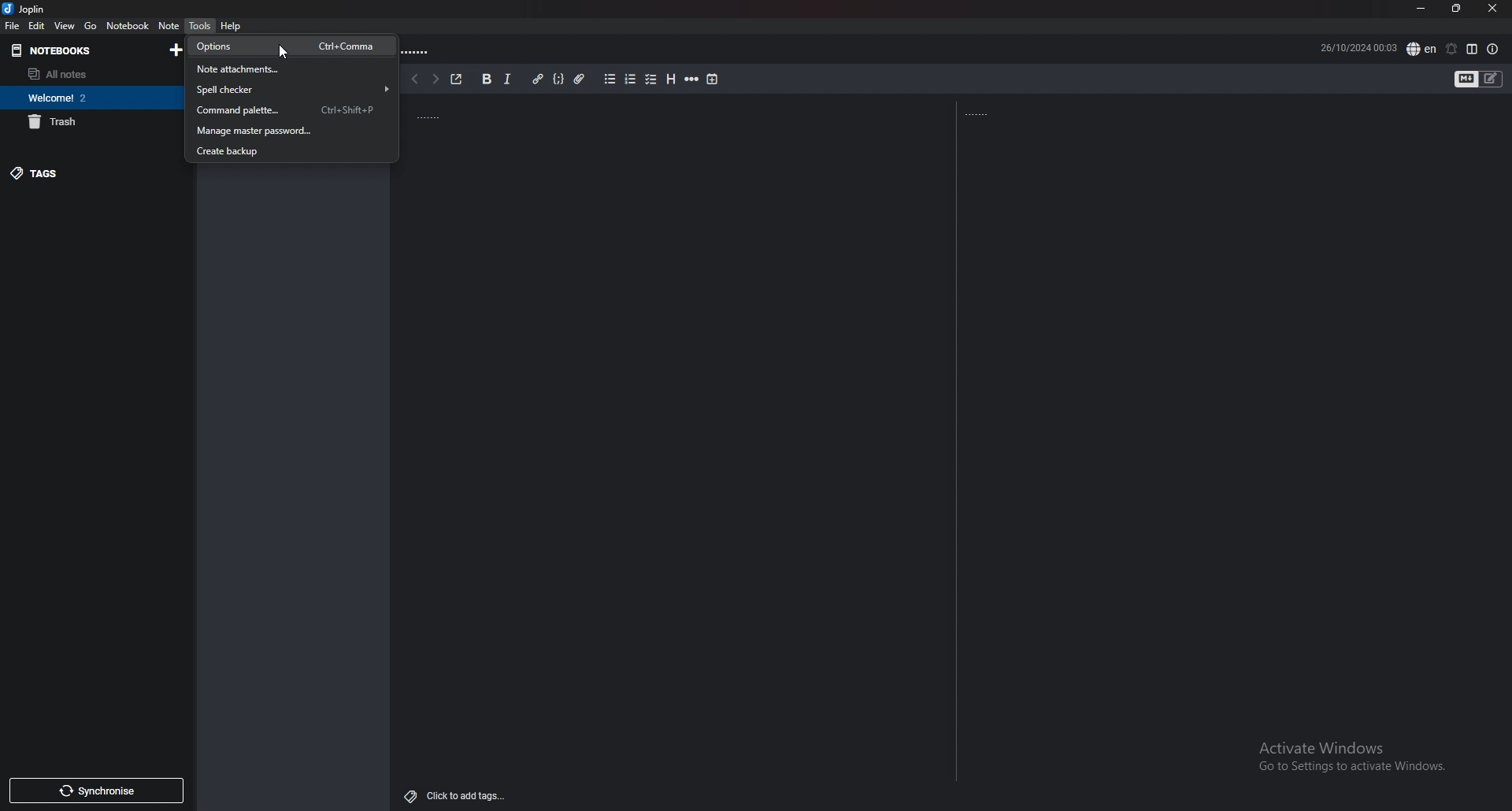 Image resolution: width=1512 pixels, height=811 pixels. Describe the element at coordinates (12, 26) in the screenshot. I see `file` at that location.